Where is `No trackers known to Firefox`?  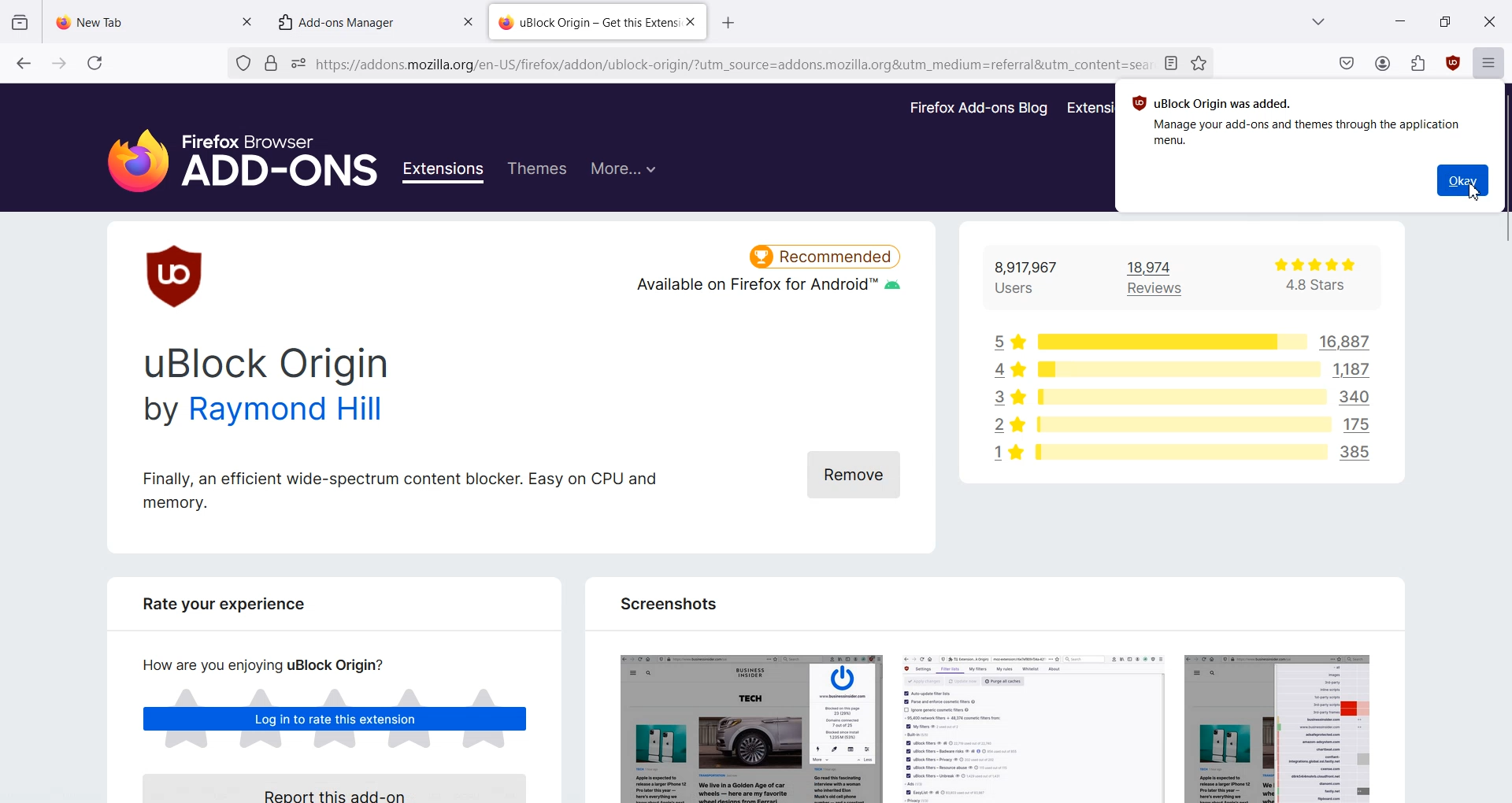 No trackers known to Firefox is located at coordinates (241, 64).